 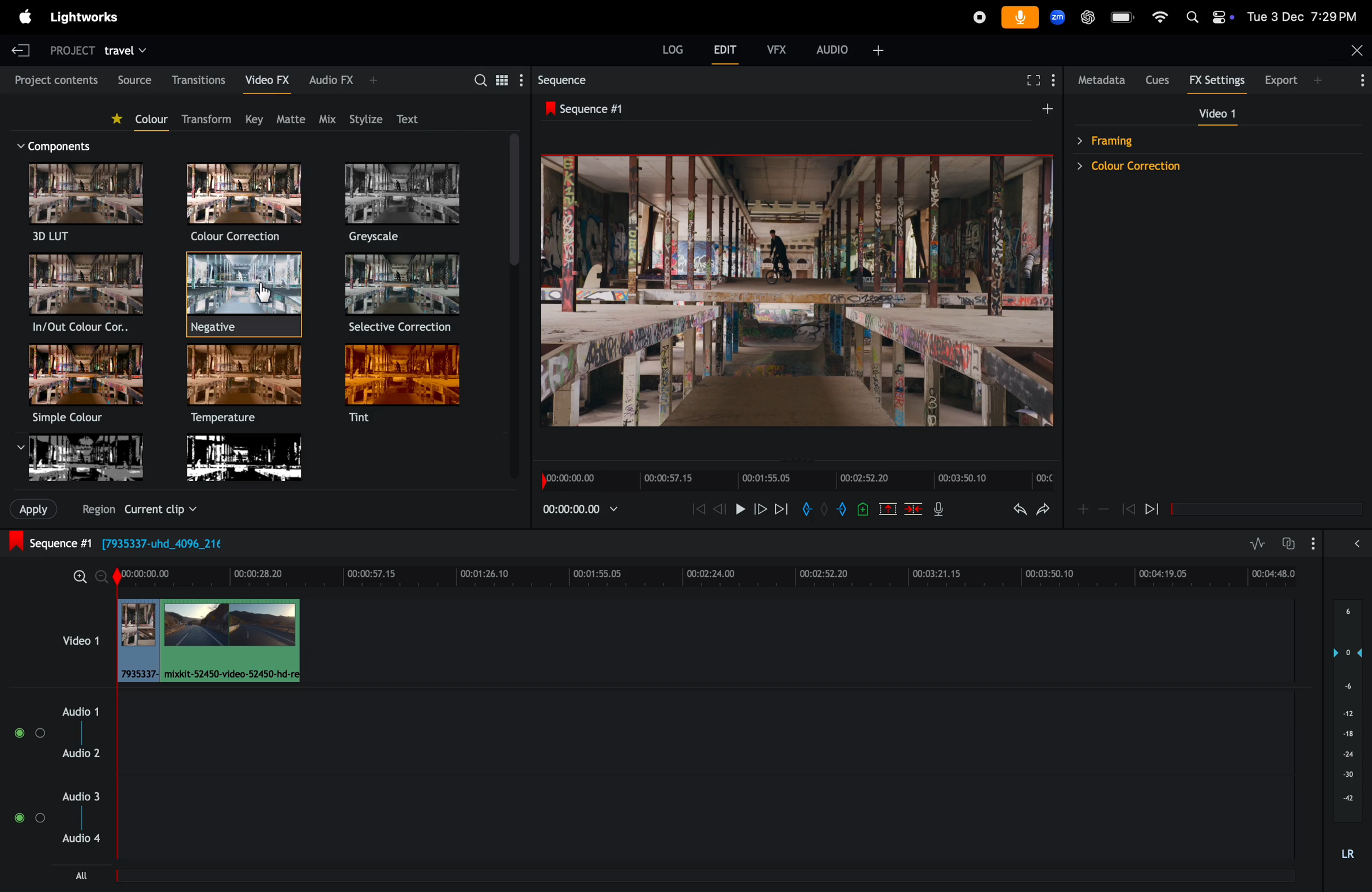 I want to click on mic, so click(x=939, y=510).